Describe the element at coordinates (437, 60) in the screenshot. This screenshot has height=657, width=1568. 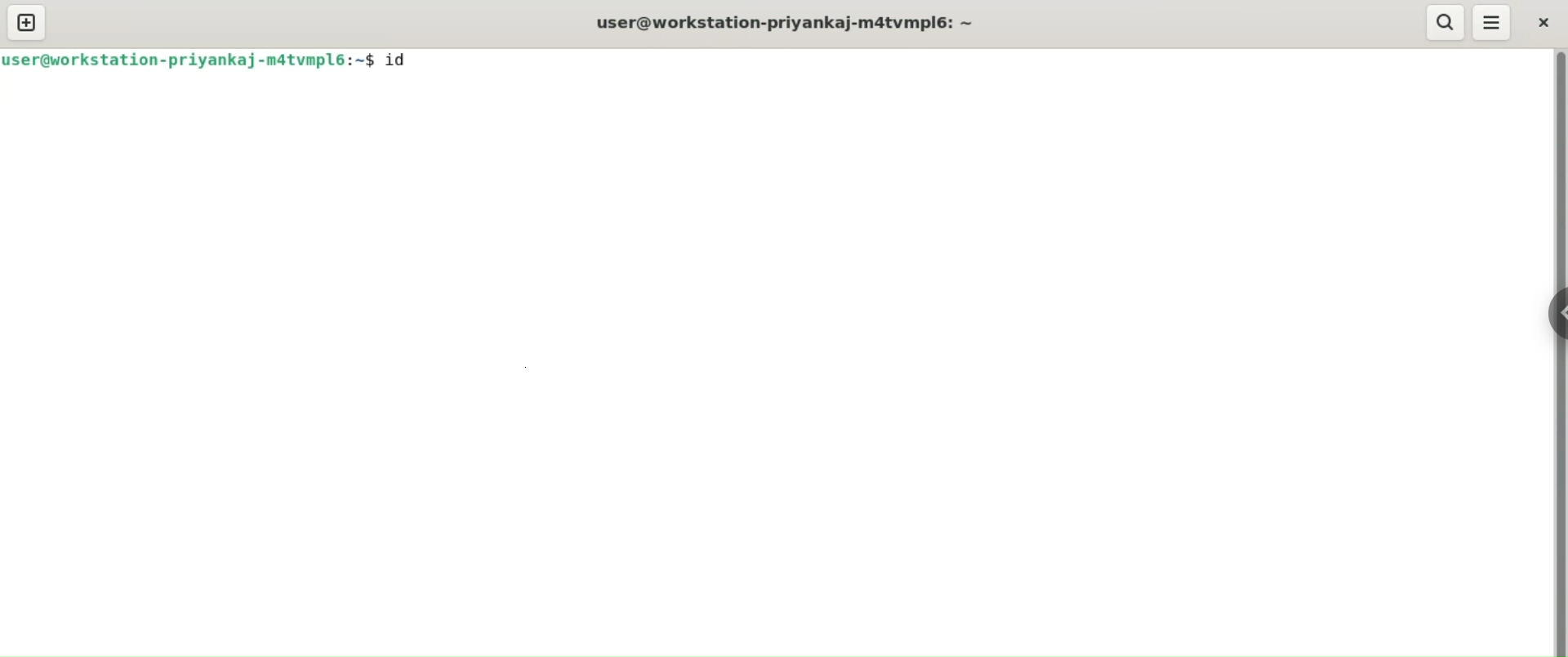
I see `cursor` at that location.